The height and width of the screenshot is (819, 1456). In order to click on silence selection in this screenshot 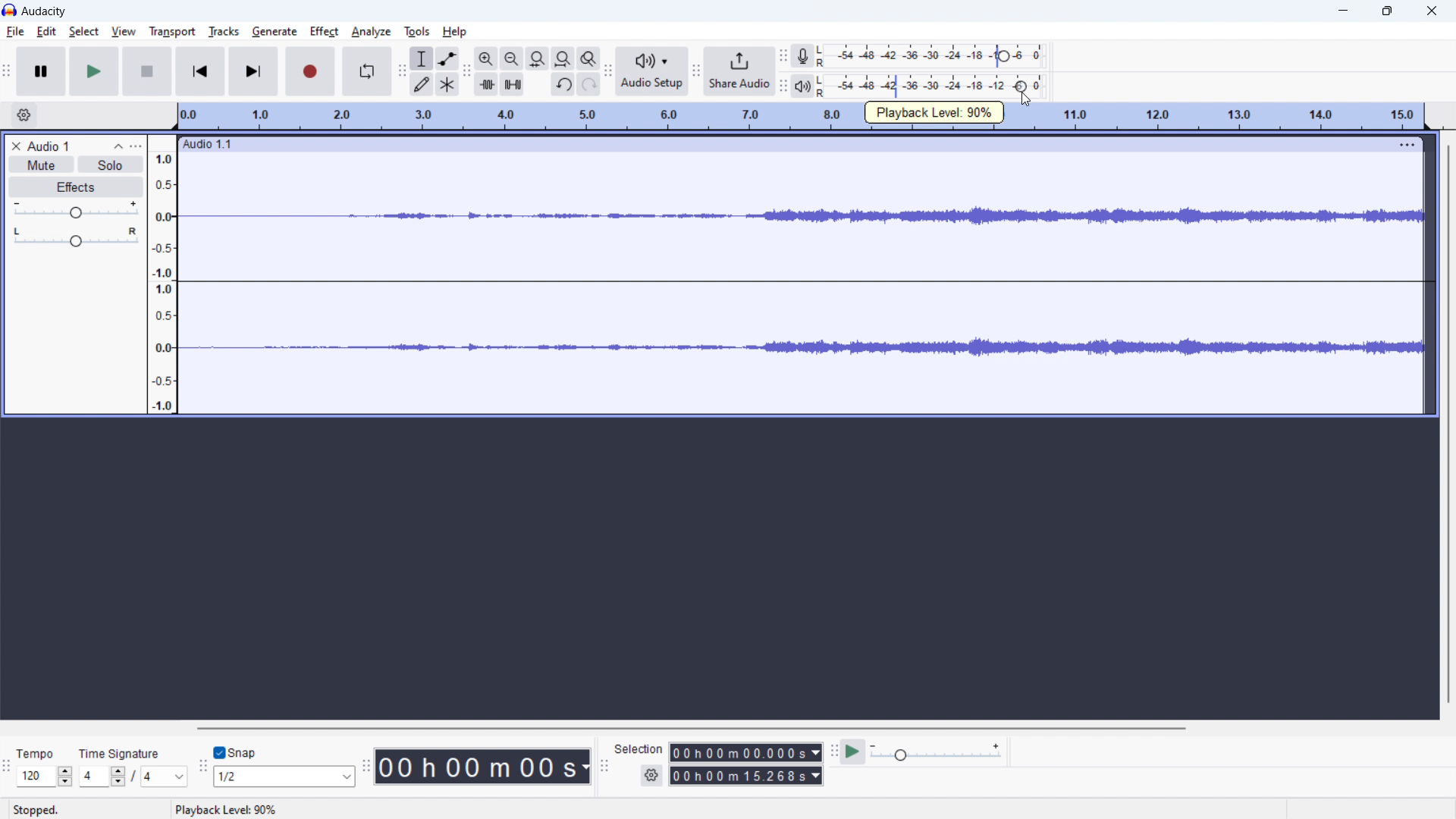, I will do `click(511, 83)`.